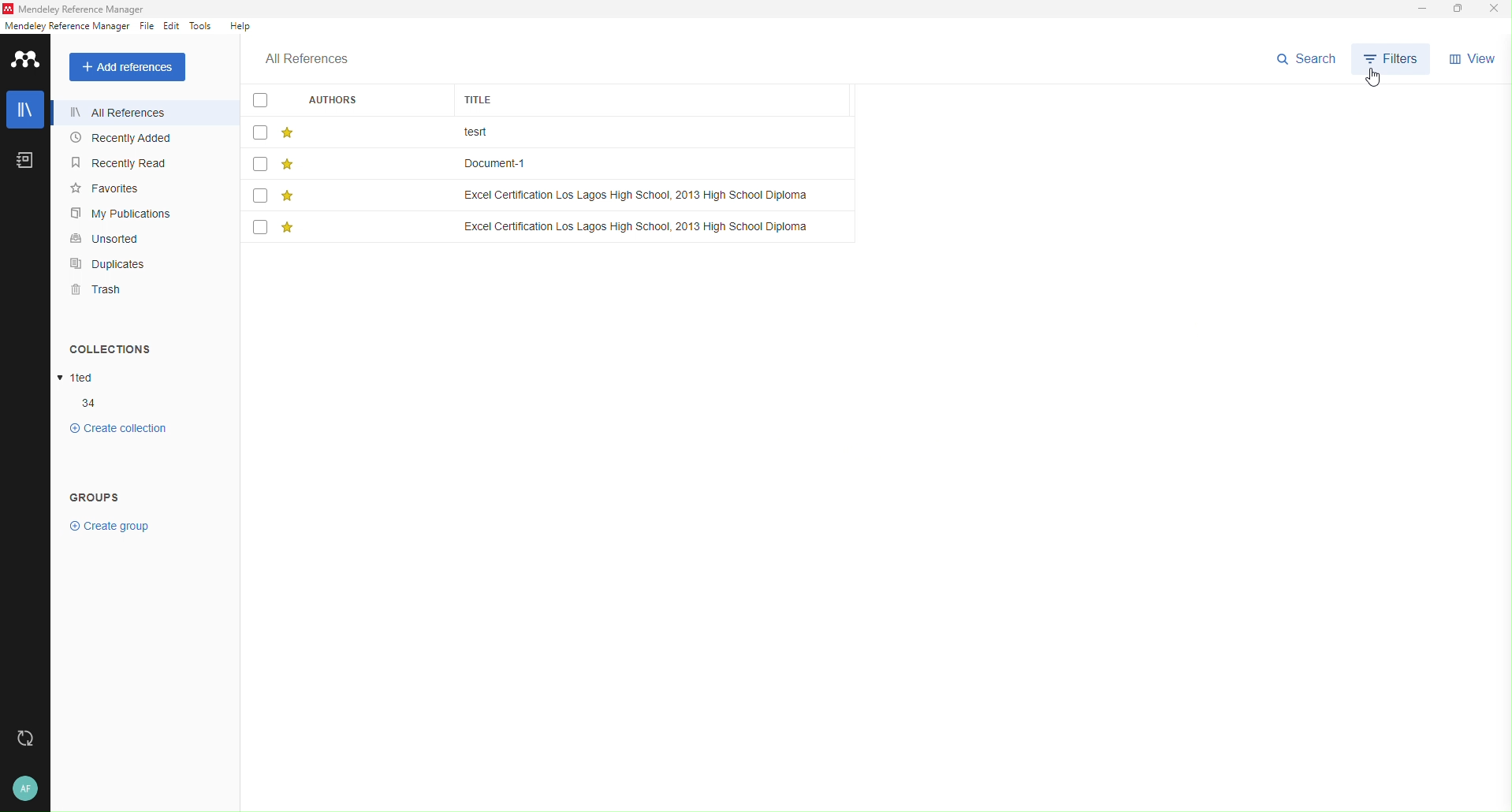 Image resolution: width=1512 pixels, height=812 pixels. Describe the element at coordinates (28, 741) in the screenshot. I see `Refresh` at that location.